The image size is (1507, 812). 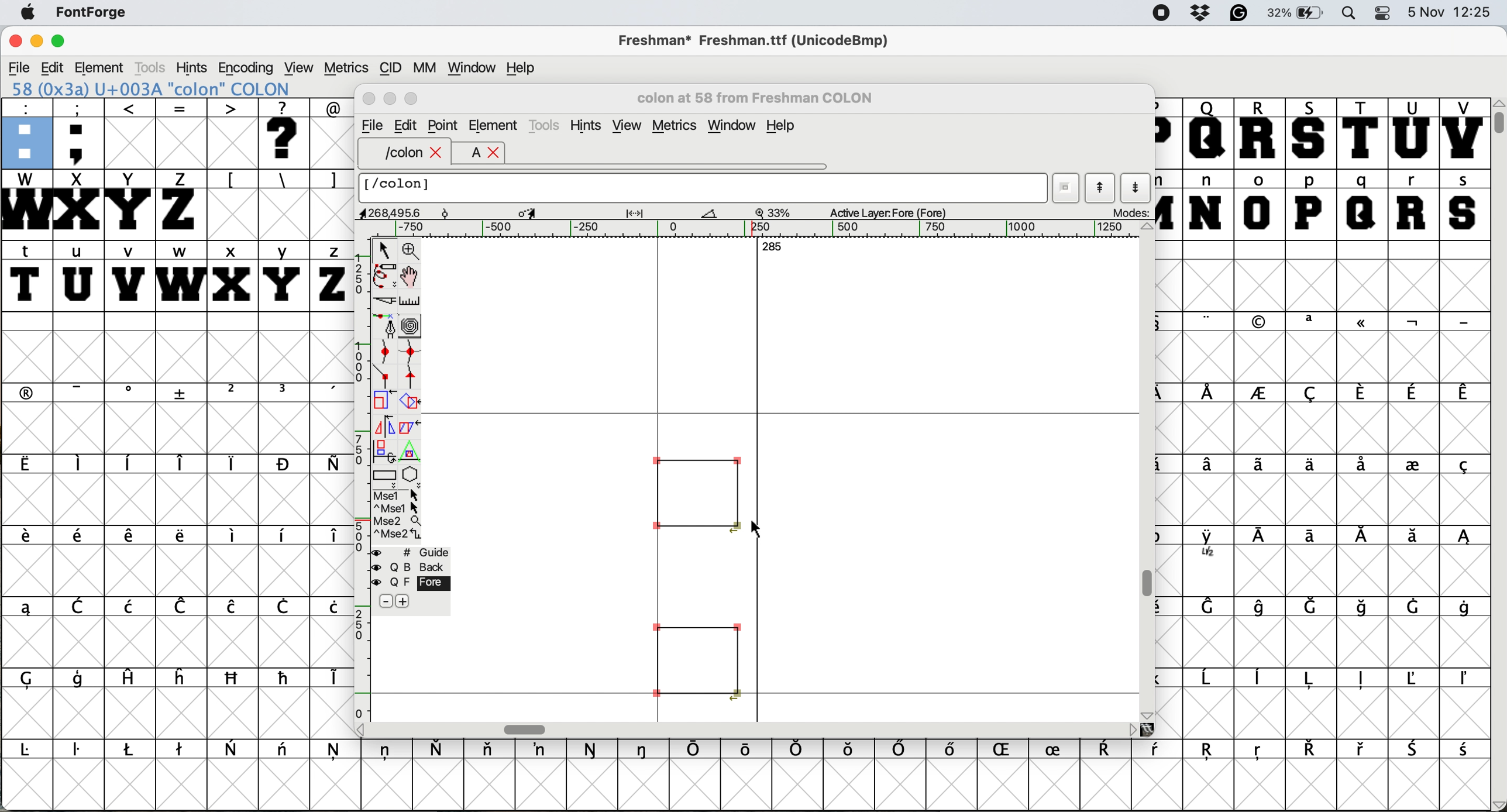 What do you see at coordinates (1414, 205) in the screenshot?
I see `r` at bounding box center [1414, 205].